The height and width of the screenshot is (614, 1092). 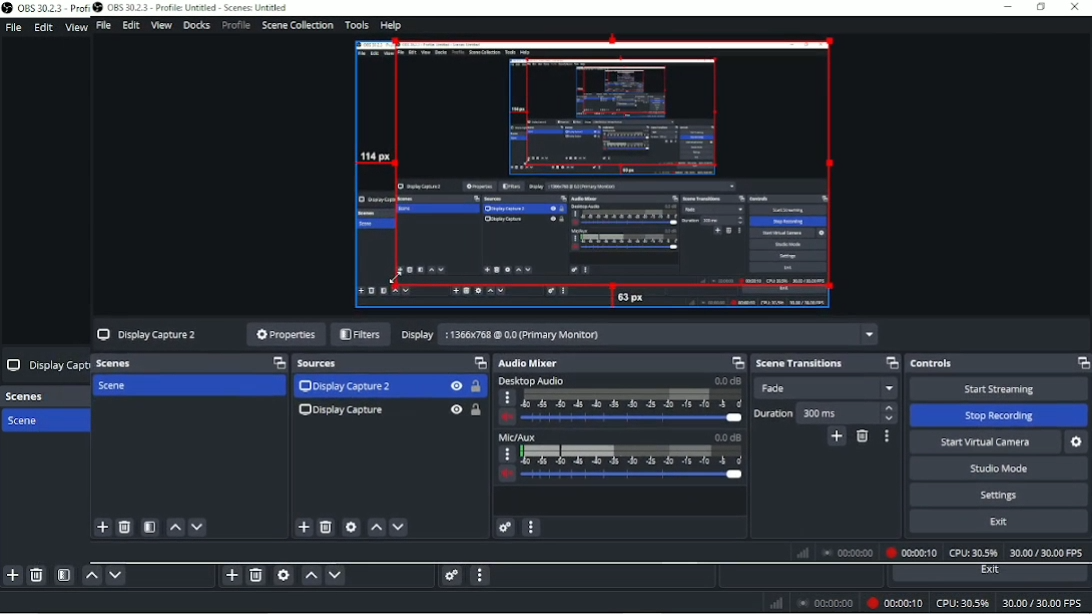 I want to click on Open scene filters, so click(x=65, y=575).